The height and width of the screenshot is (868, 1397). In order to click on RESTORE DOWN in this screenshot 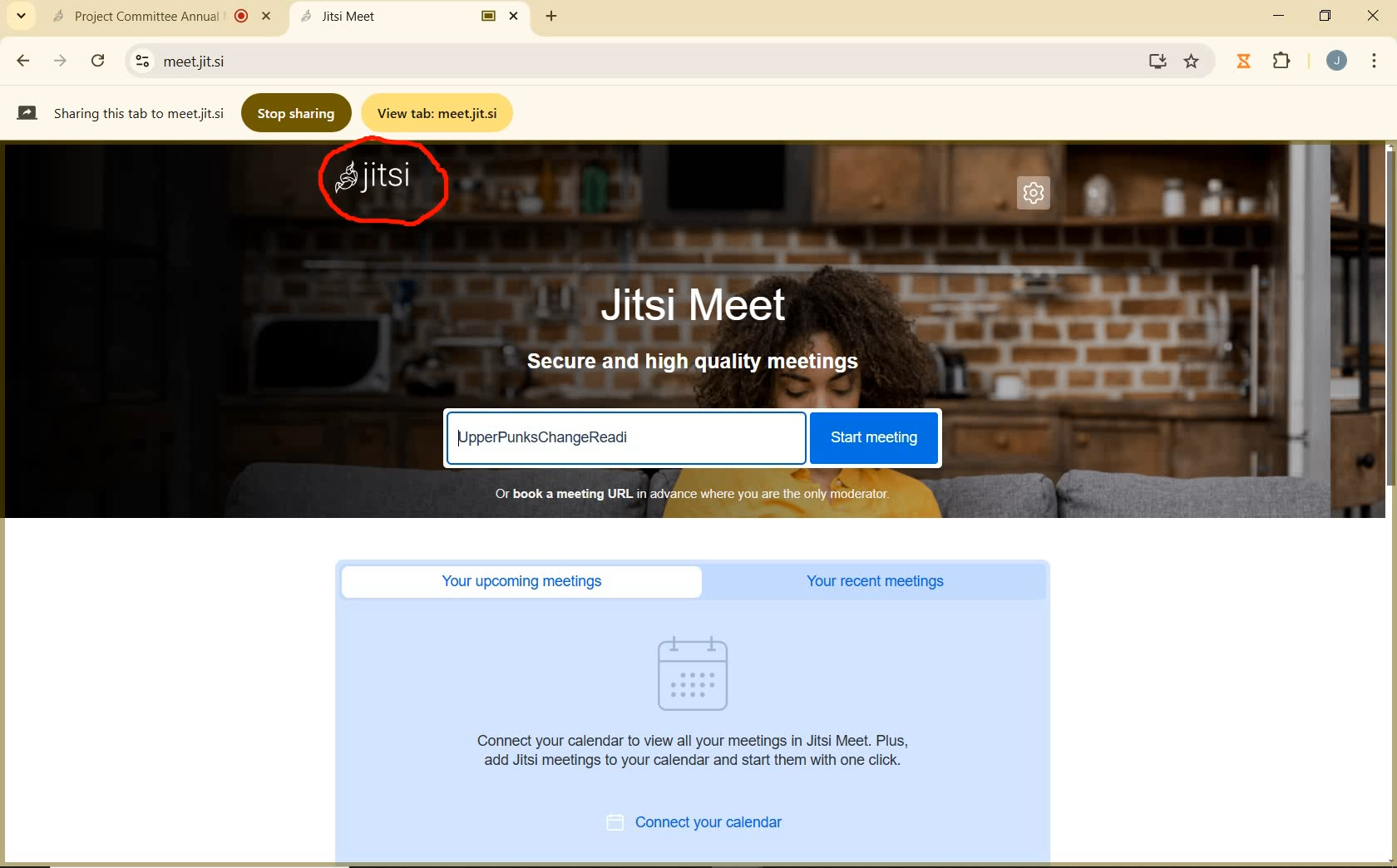, I will do `click(1325, 16)`.